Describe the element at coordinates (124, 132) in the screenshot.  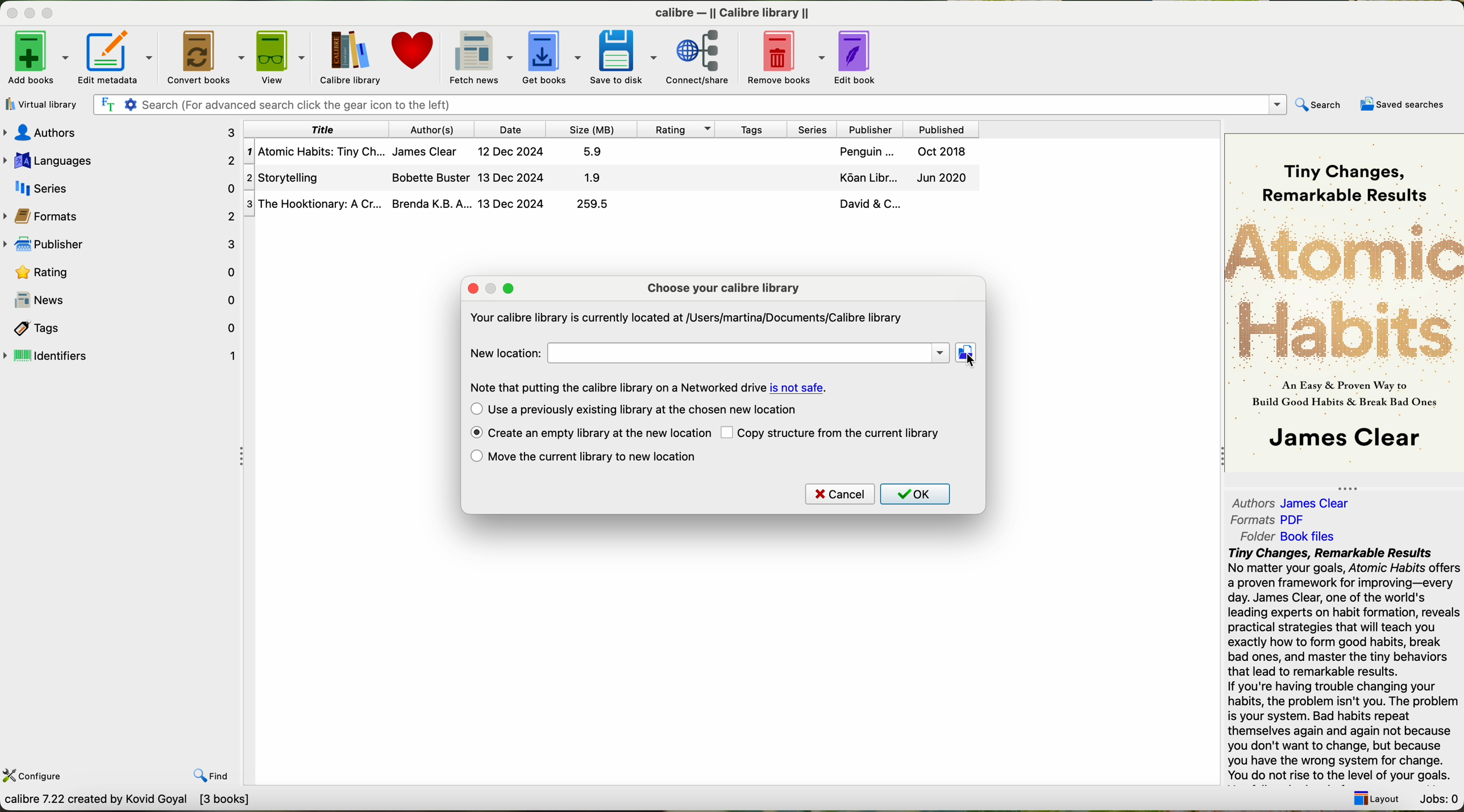
I see `authors` at that location.